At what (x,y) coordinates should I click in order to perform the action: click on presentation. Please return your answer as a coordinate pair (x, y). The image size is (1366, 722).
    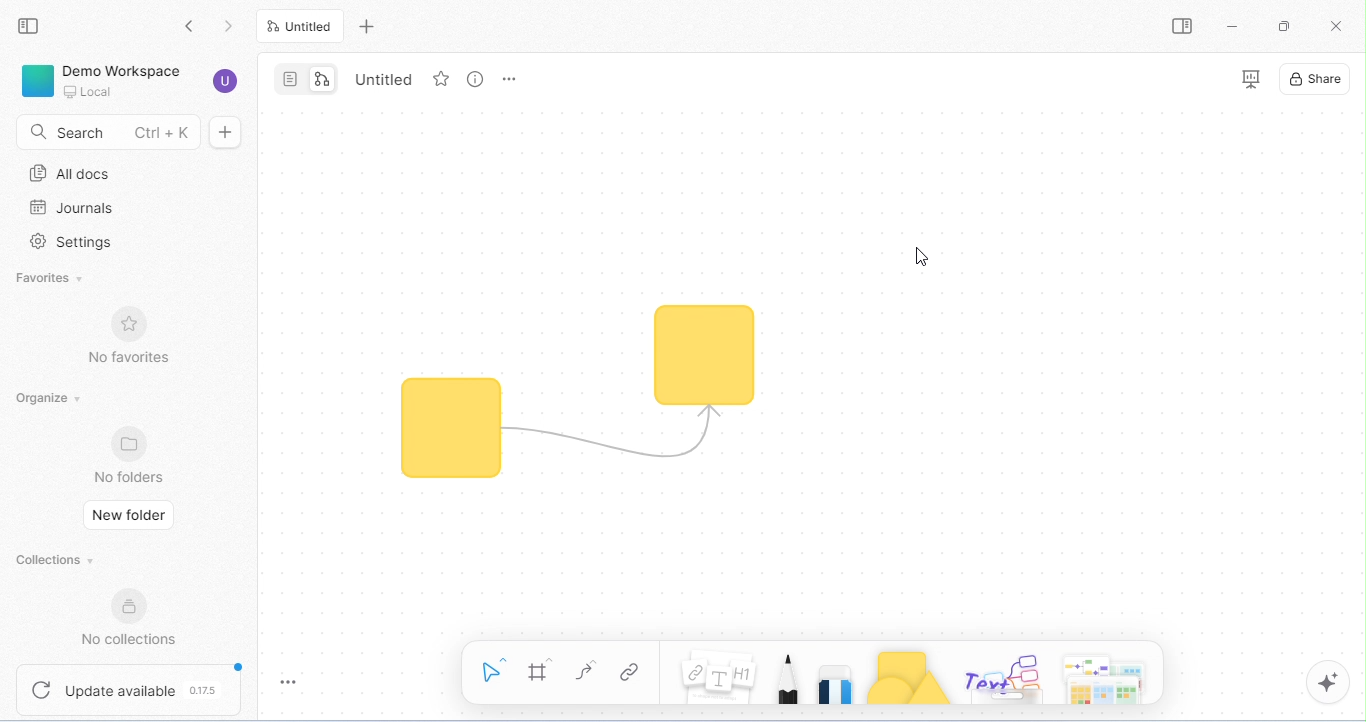
    Looking at the image, I should click on (1252, 80).